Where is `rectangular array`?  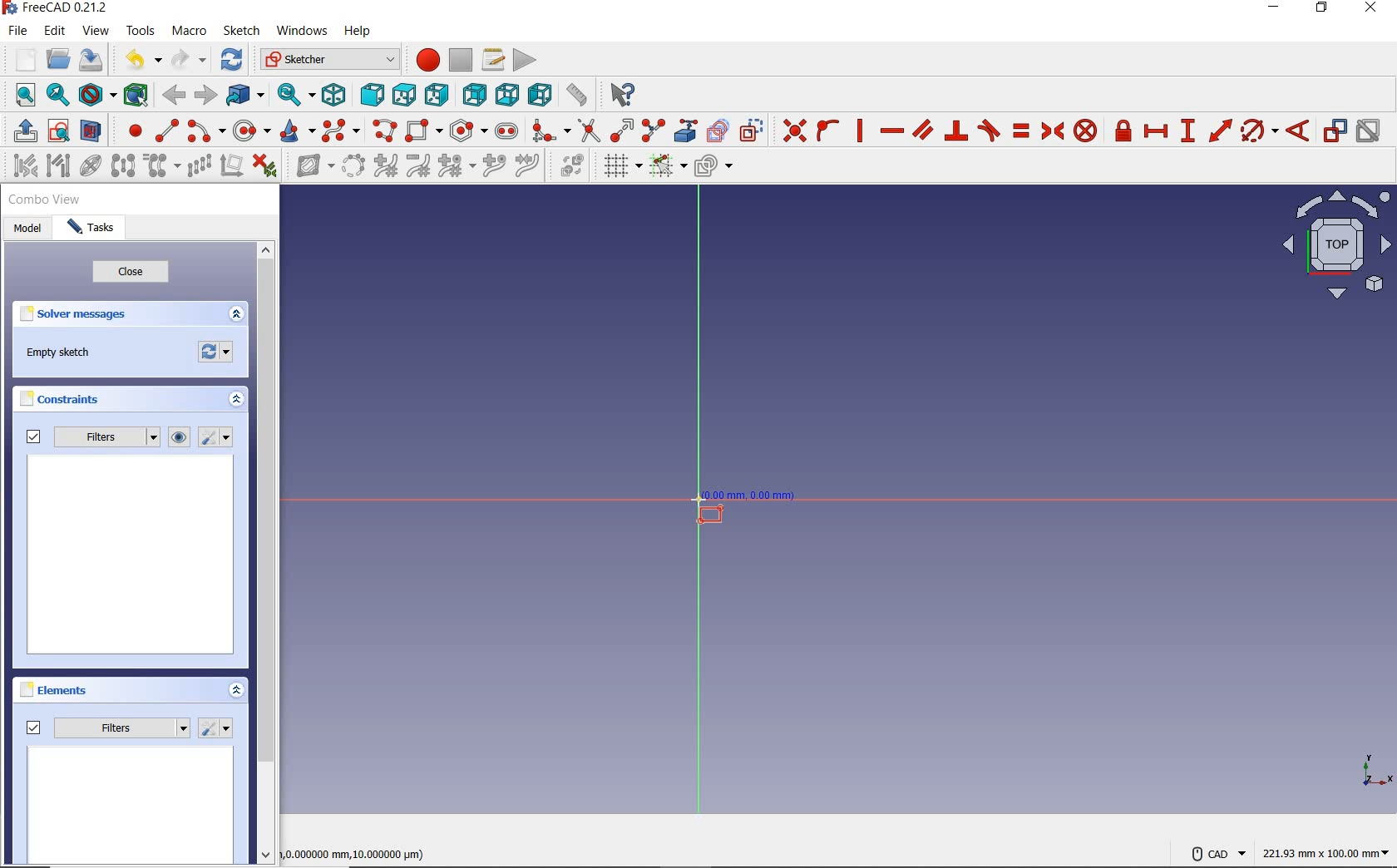 rectangular array is located at coordinates (200, 166).